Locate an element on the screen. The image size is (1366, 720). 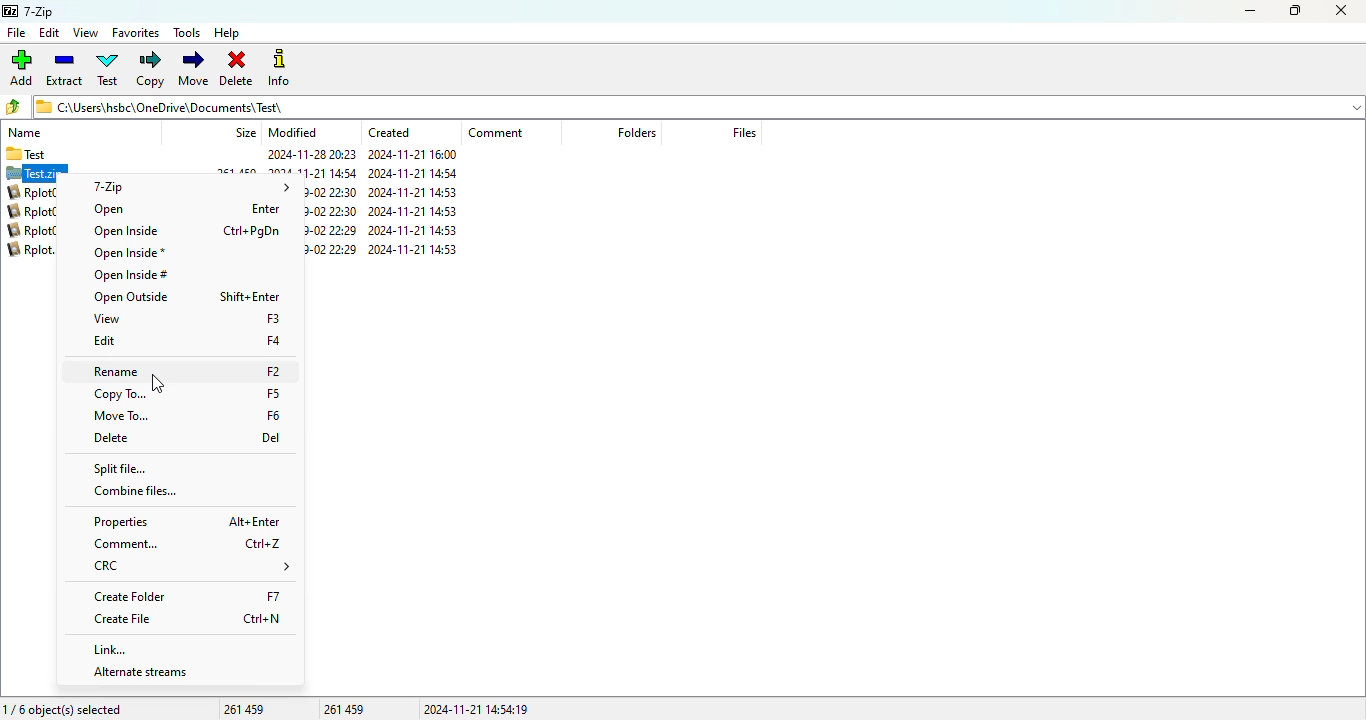
F4 is located at coordinates (271, 339).